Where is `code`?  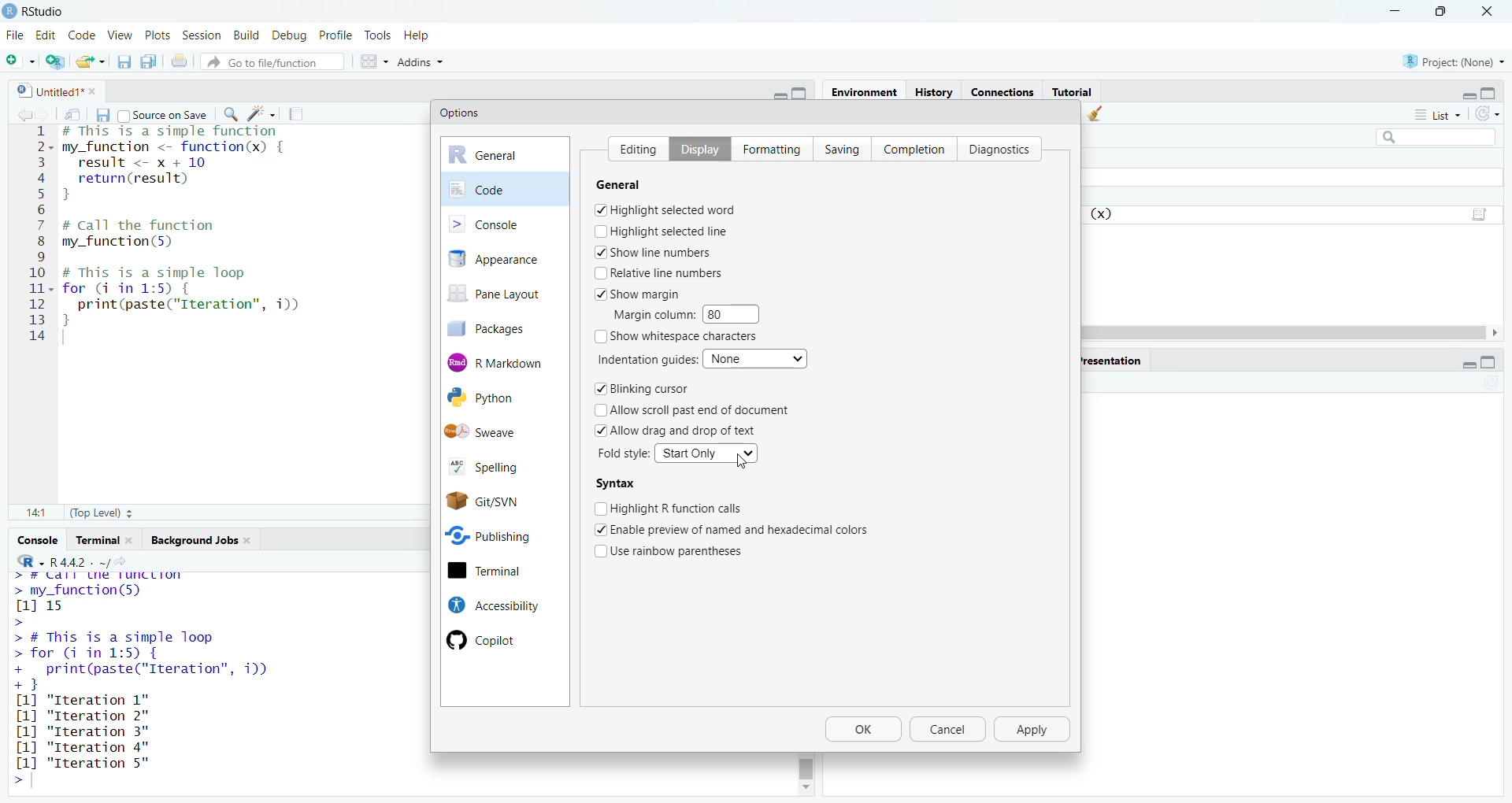 code is located at coordinates (82, 33).